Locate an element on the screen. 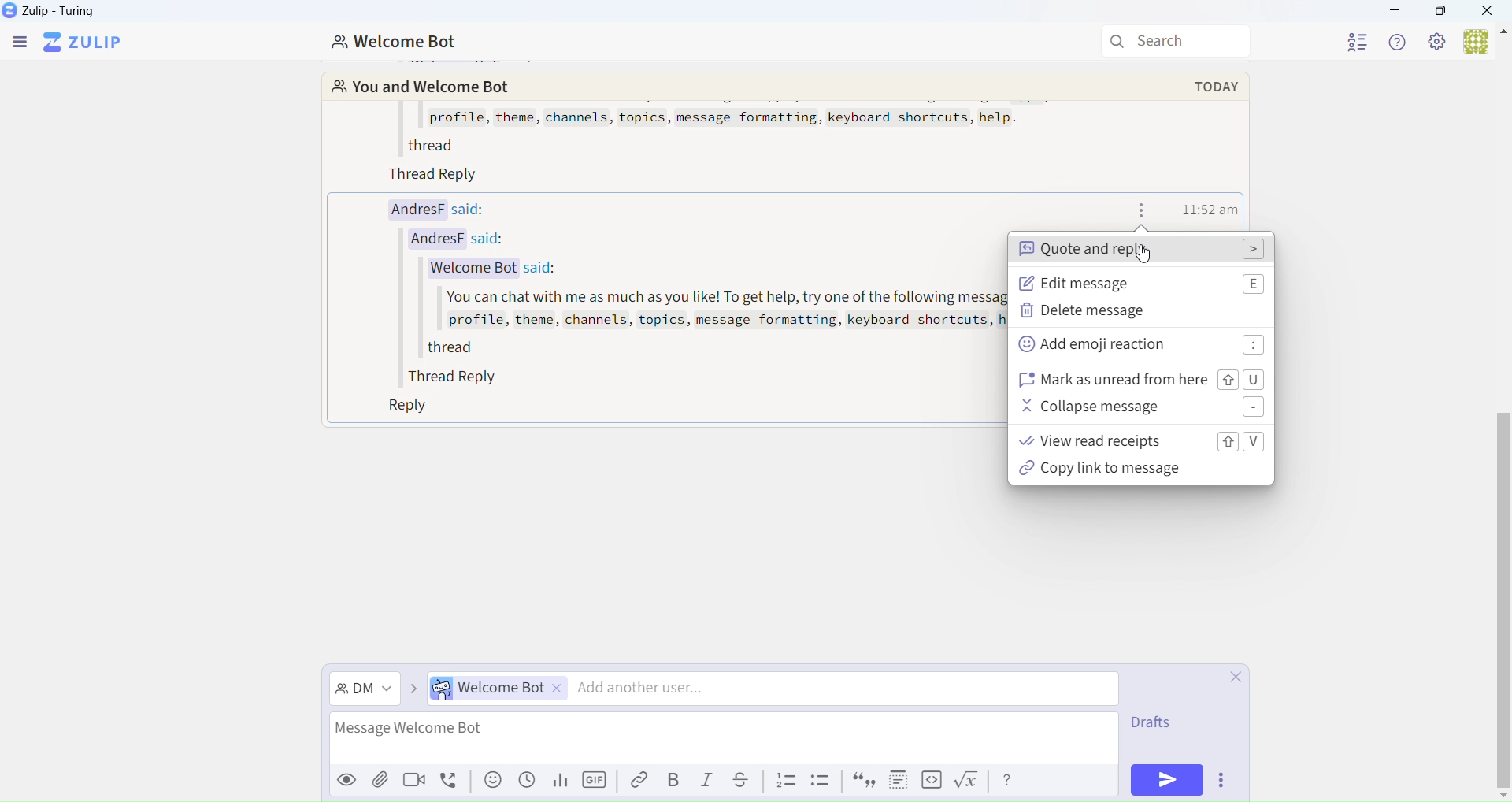  edit message is located at coordinates (1140, 284).